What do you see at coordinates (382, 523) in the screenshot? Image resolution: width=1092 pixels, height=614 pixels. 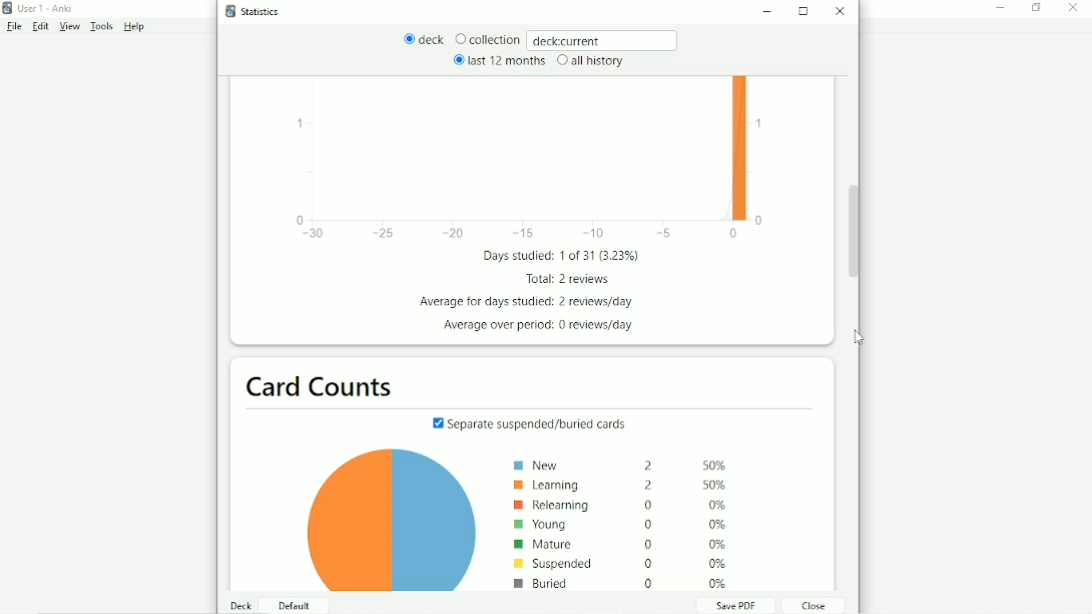 I see `Pie chart` at bounding box center [382, 523].